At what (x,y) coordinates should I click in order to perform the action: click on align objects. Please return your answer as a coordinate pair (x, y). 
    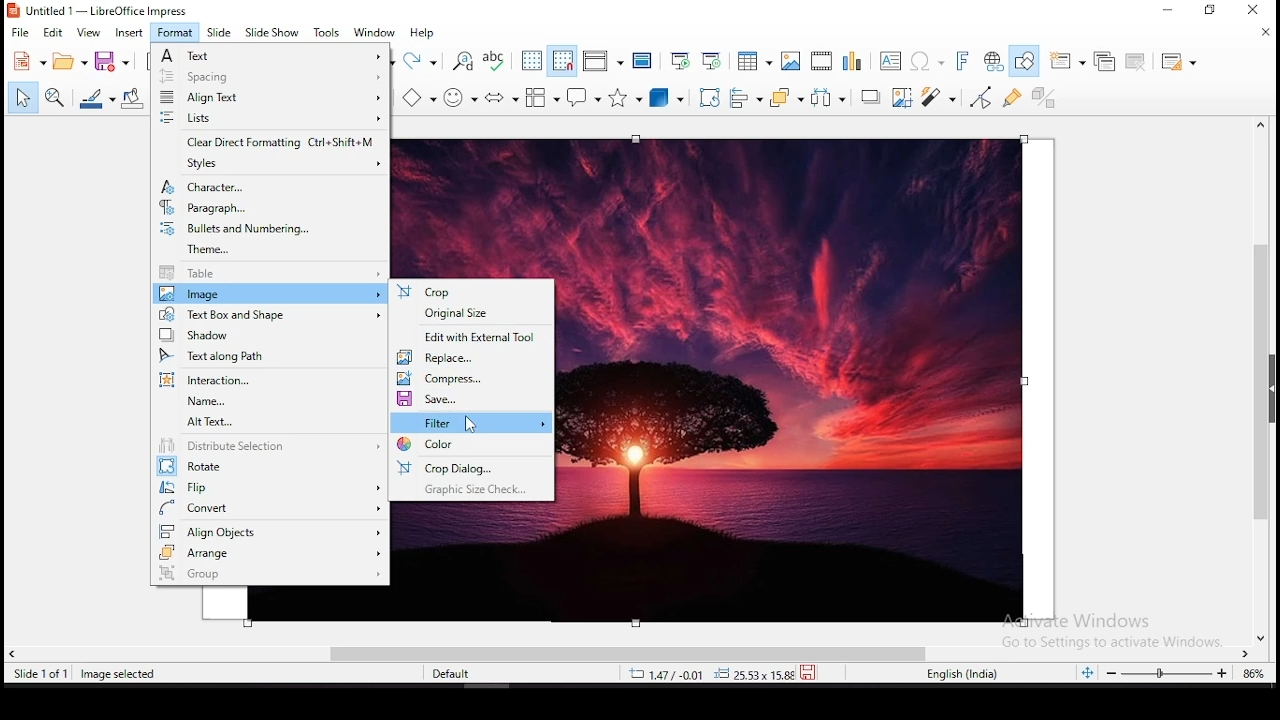
    Looking at the image, I should click on (270, 530).